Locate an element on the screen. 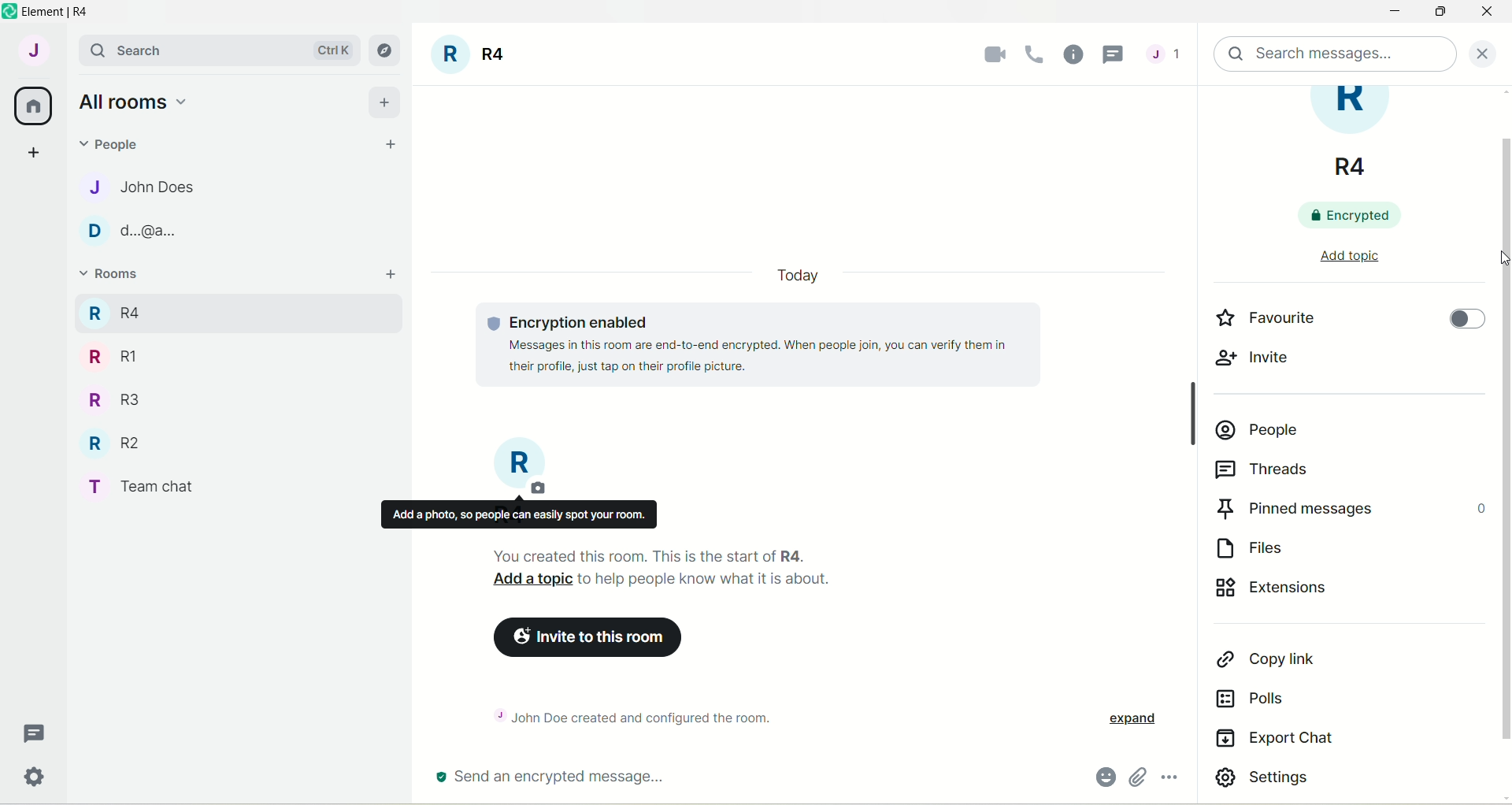 This screenshot has width=1512, height=805. create a space is located at coordinates (32, 151).